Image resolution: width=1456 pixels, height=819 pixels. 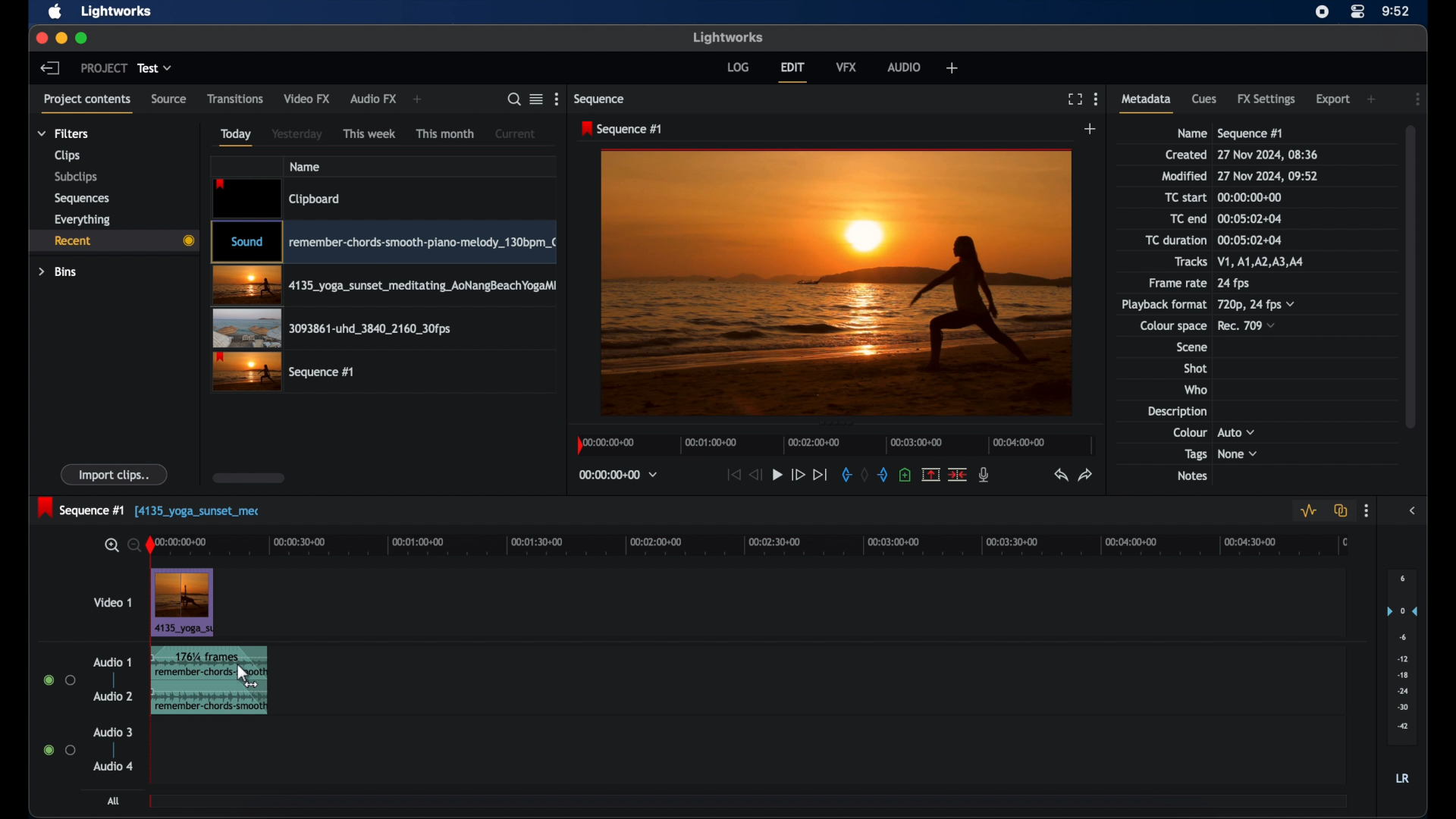 What do you see at coordinates (113, 732) in the screenshot?
I see `audio 3` at bounding box center [113, 732].